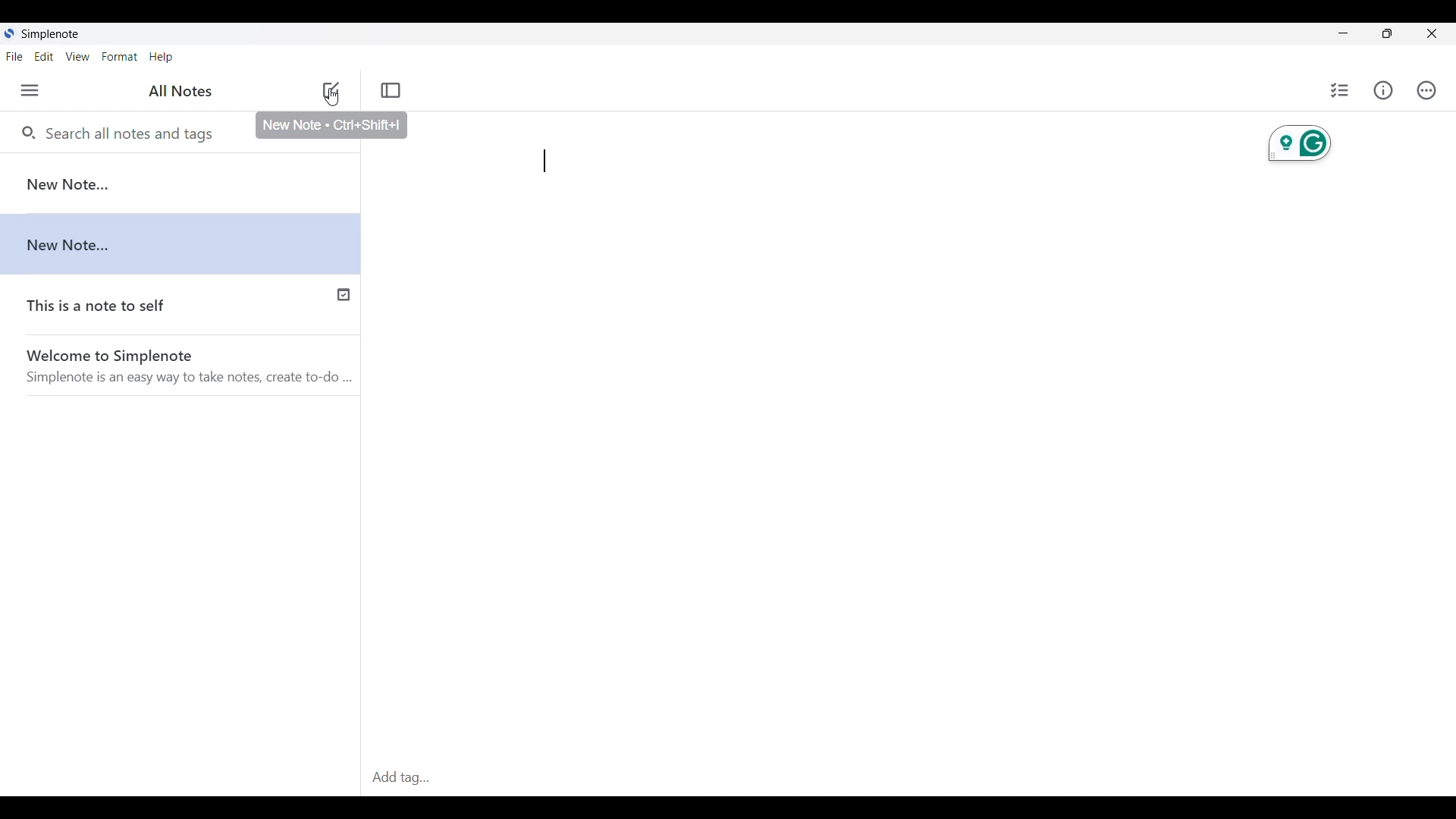 This screenshot has height=819, width=1456. What do you see at coordinates (1300, 143) in the screenshot?
I see `Grammarly extension ` at bounding box center [1300, 143].